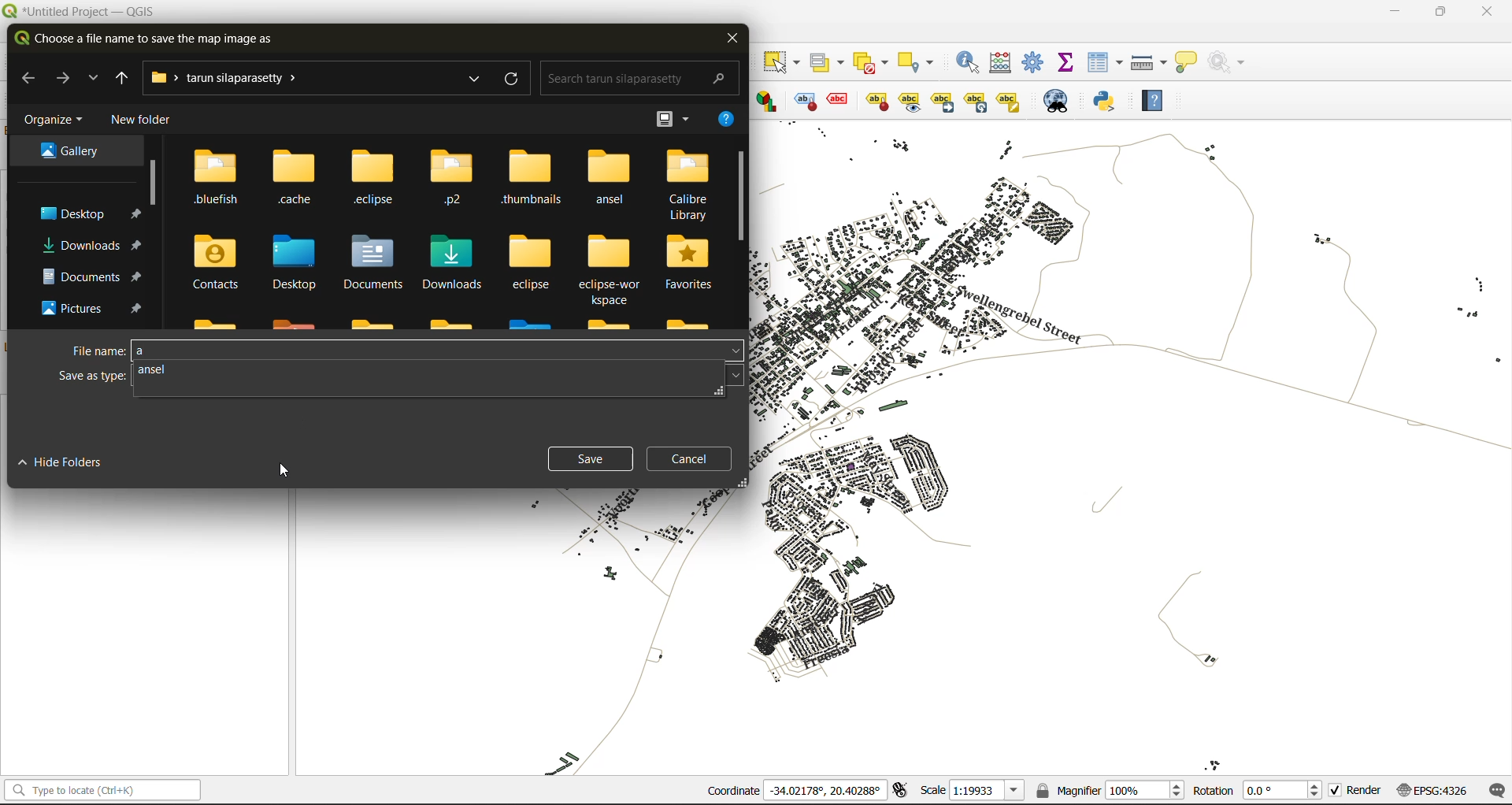  What do you see at coordinates (1258, 789) in the screenshot?
I see `rotation` at bounding box center [1258, 789].